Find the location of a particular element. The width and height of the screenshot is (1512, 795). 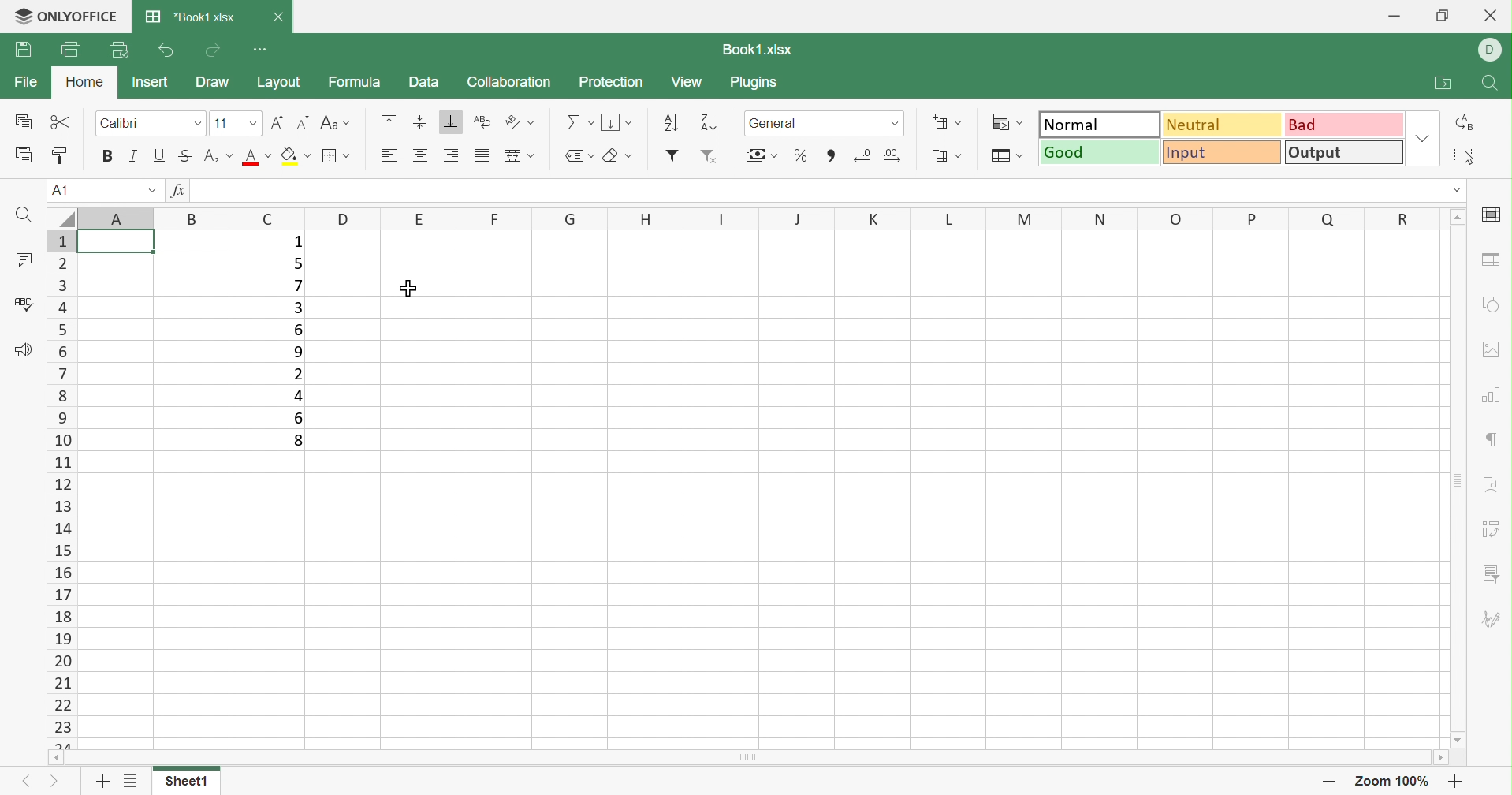

Previous is located at coordinates (26, 781).